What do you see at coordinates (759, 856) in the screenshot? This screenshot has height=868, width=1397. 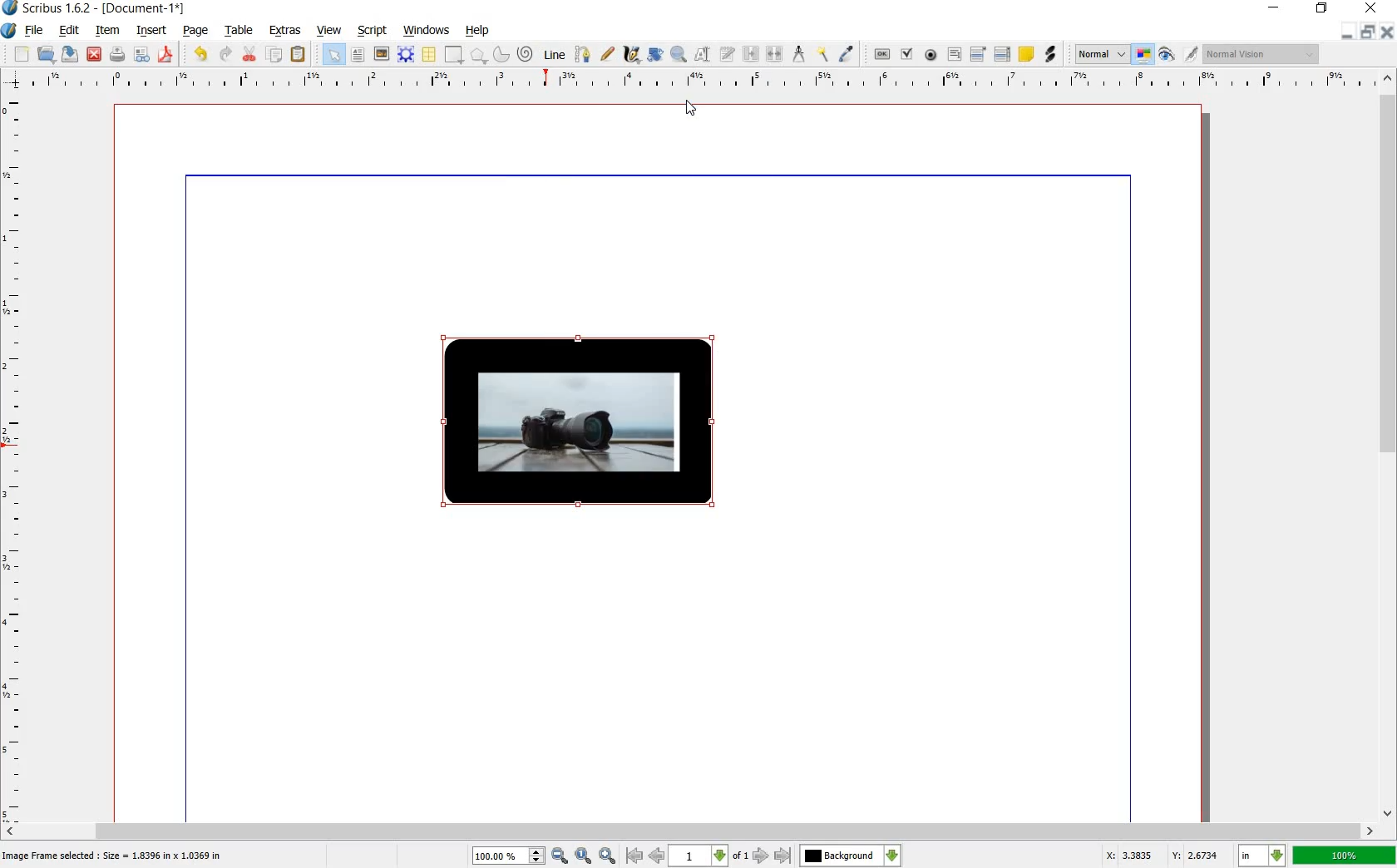 I see `next page` at bounding box center [759, 856].